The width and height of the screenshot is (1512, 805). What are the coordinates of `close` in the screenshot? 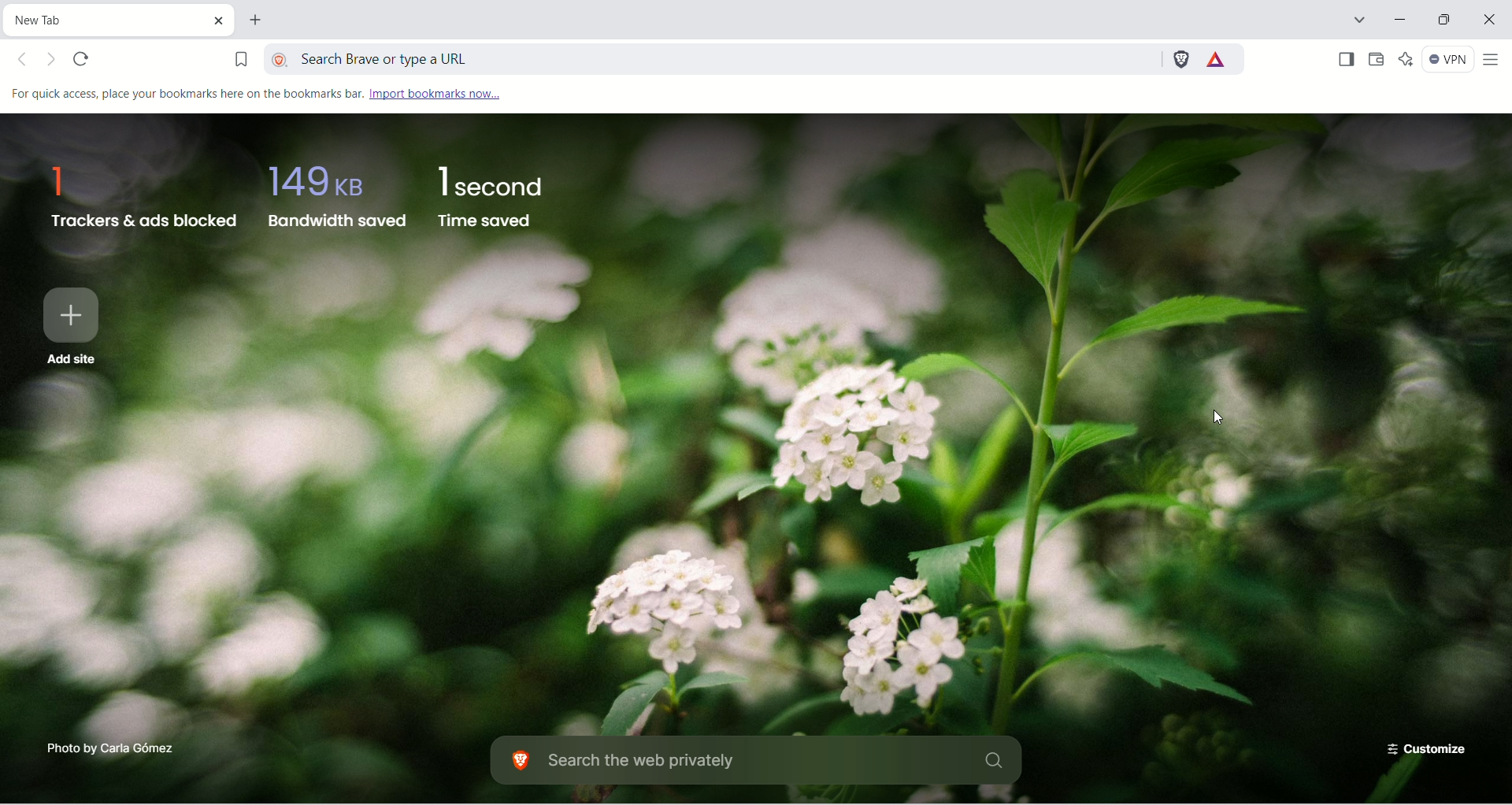 It's located at (1485, 22).